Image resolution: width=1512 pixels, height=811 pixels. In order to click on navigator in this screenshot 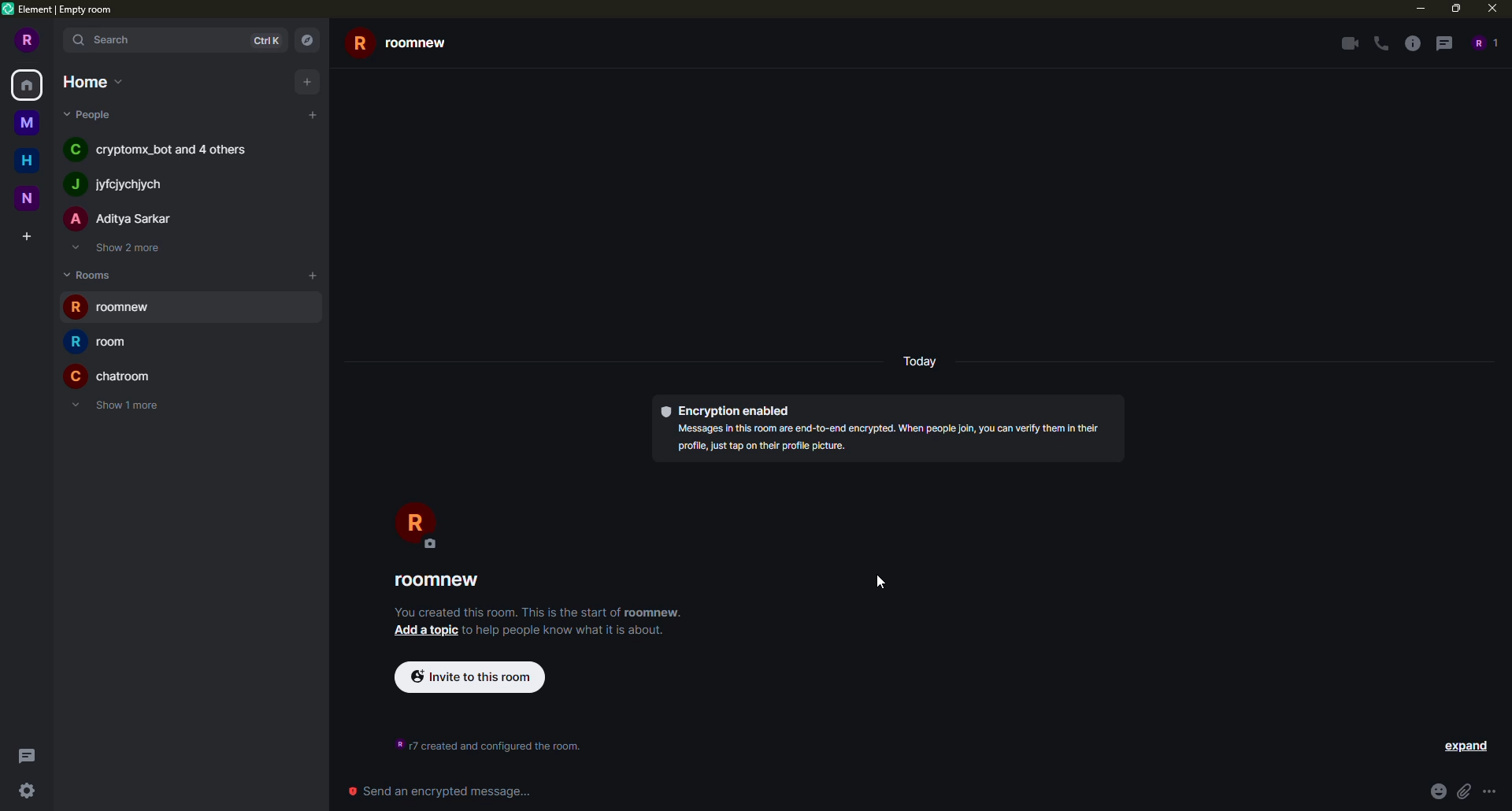, I will do `click(308, 41)`.